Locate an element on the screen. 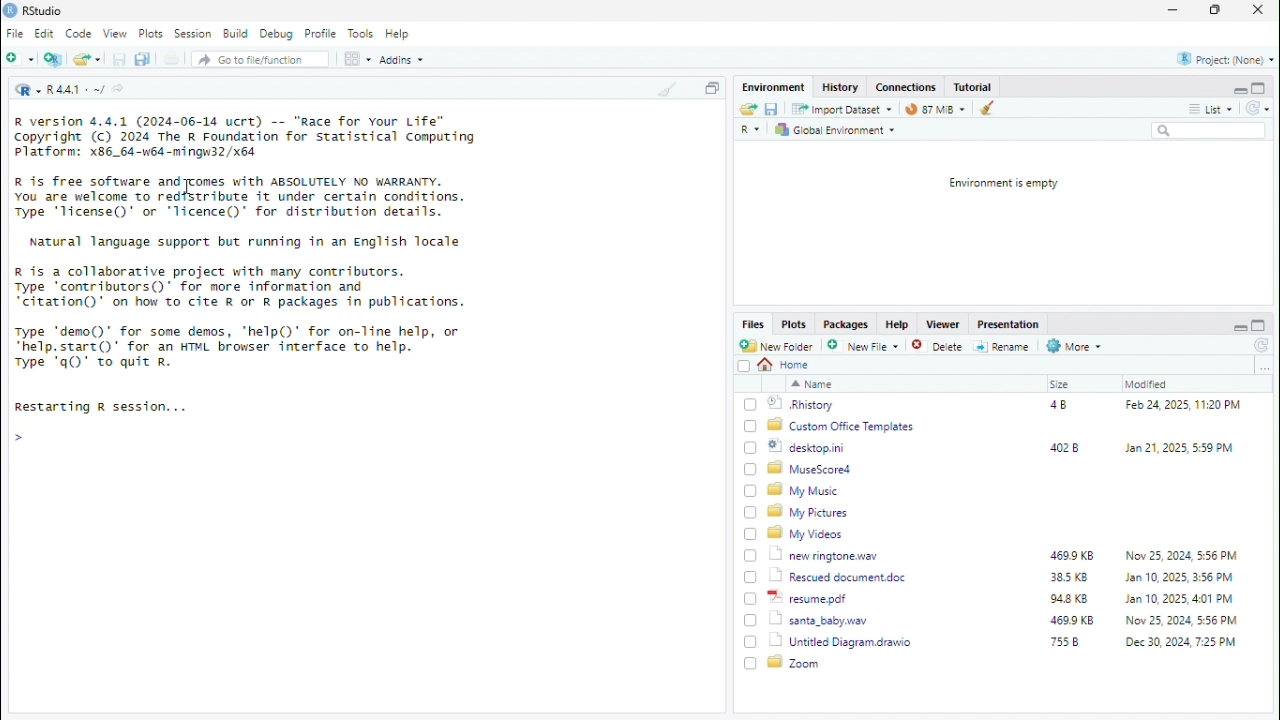 The height and width of the screenshot is (720, 1280). duplicate is located at coordinates (143, 59).